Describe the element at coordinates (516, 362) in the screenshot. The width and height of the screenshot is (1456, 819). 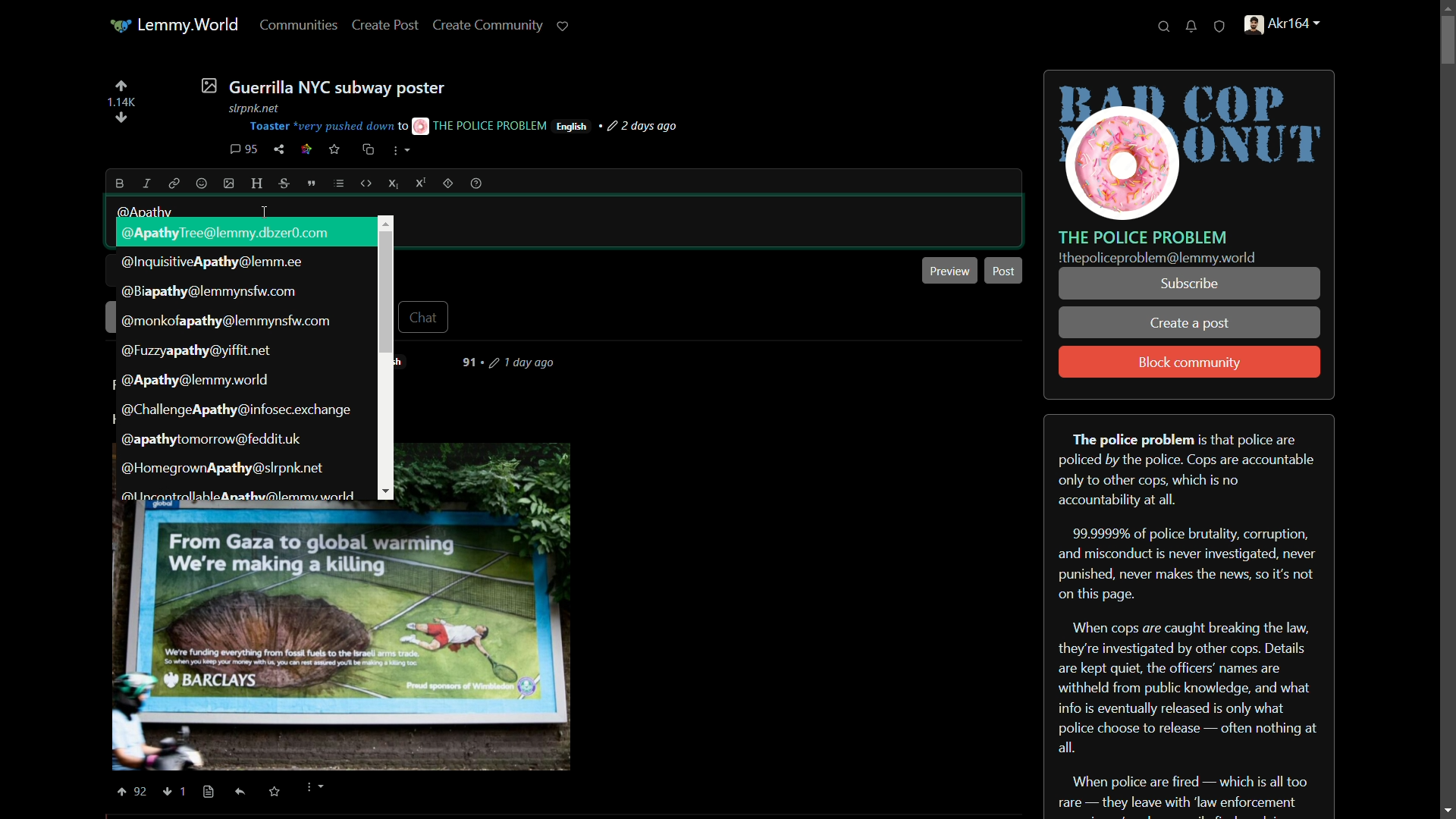
I see `days ` at that location.